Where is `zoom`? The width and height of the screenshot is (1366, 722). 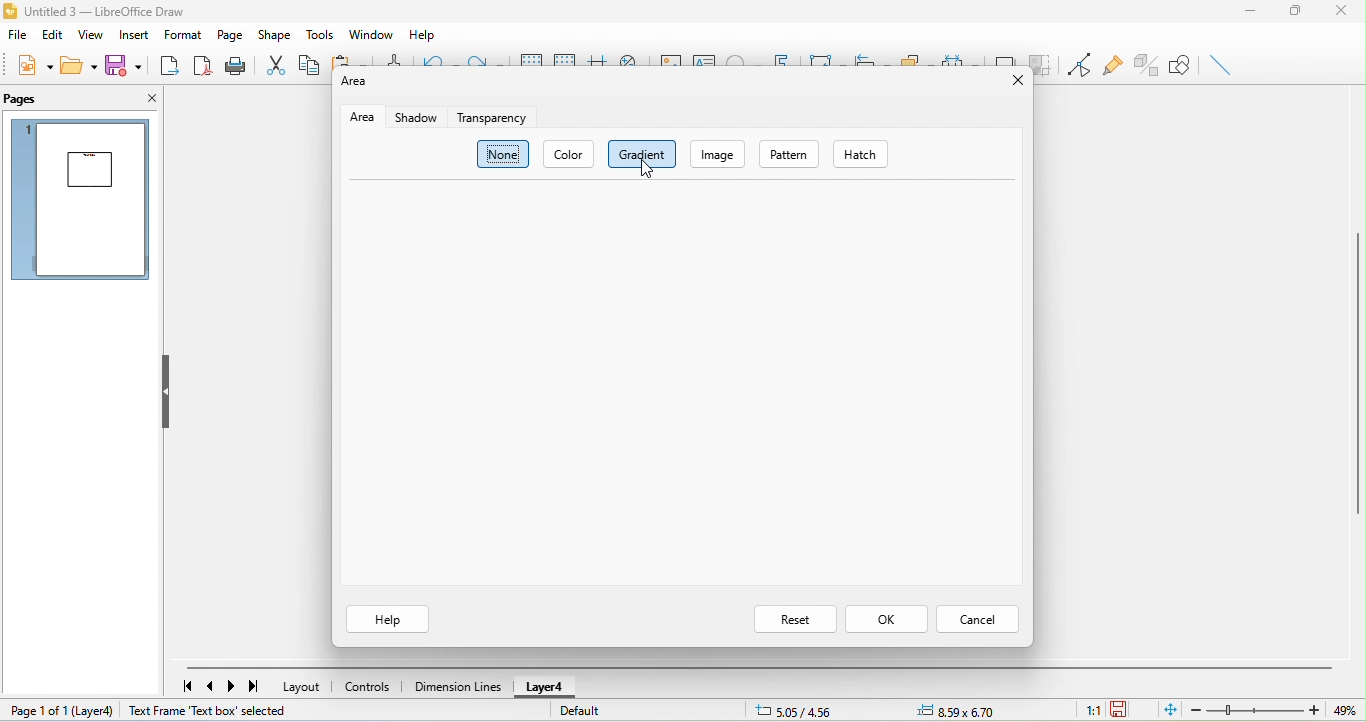 zoom is located at coordinates (1277, 709).